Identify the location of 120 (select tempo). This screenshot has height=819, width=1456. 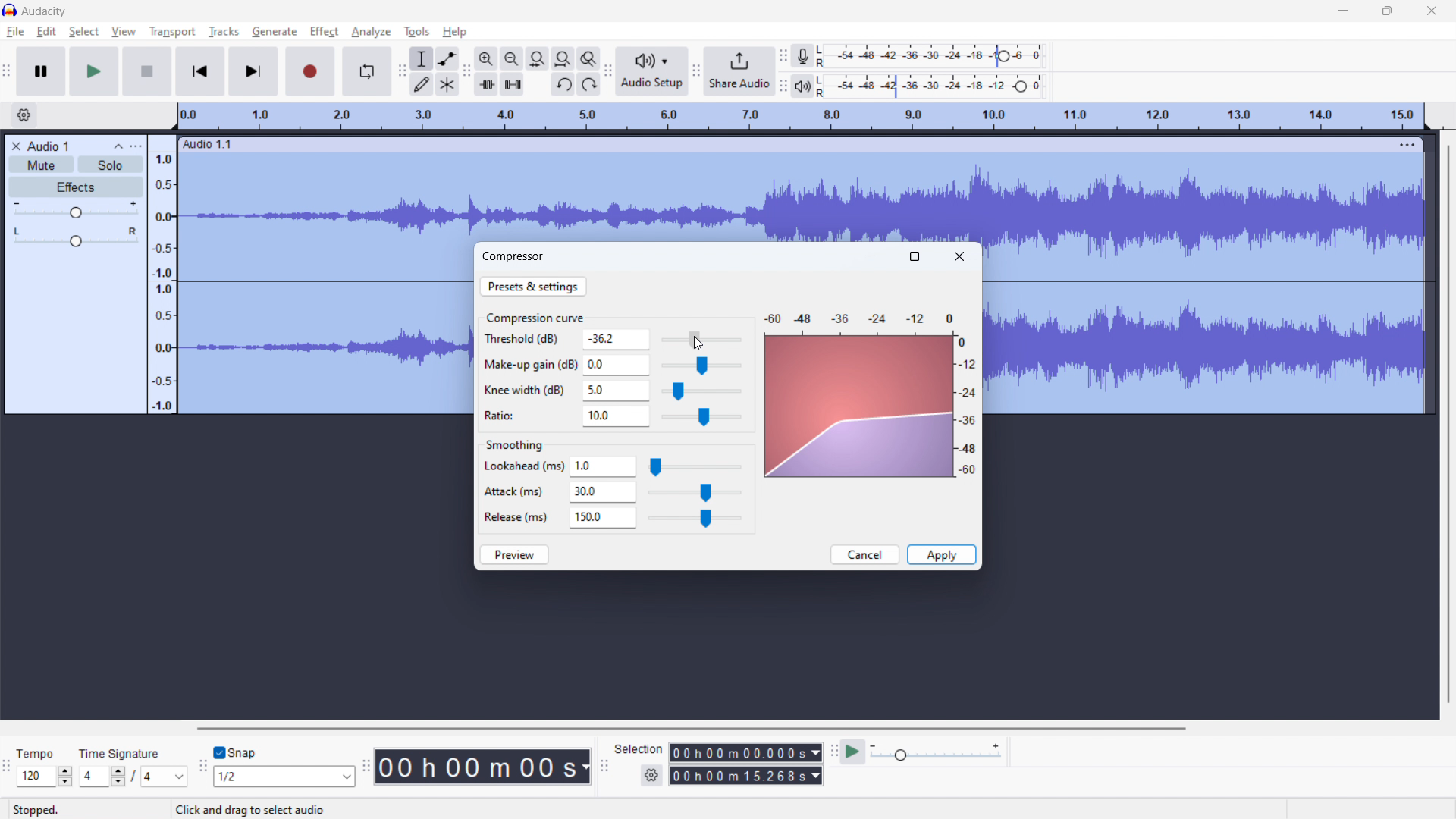
(45, 777).